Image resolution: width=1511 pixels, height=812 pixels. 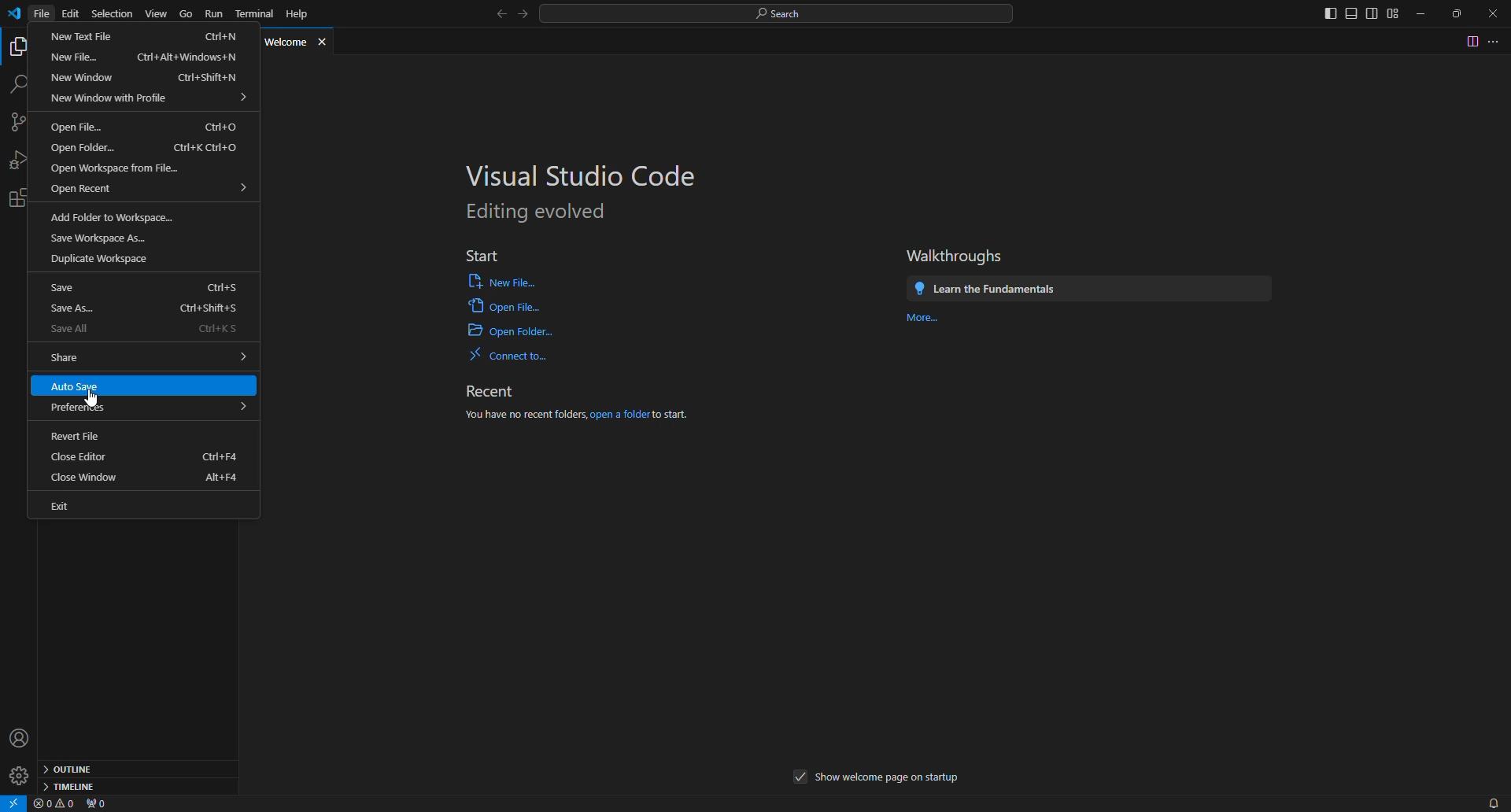 What do you see at coordinates (186, 13) in the screenshot?
I see `go` at bounding box center [186, 13].